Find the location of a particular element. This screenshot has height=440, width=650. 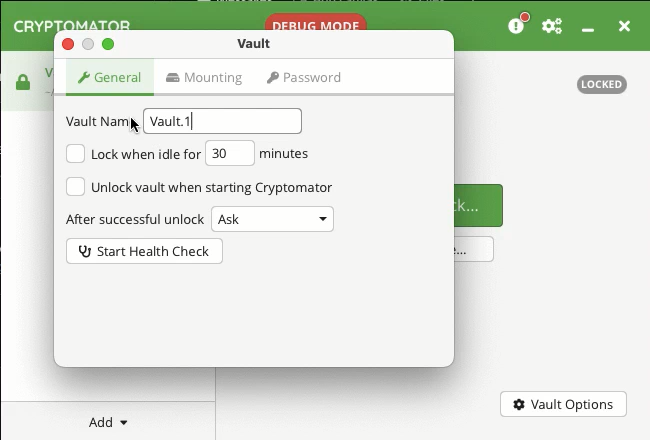

Lock when idle for is located at coordinates (132, 154).